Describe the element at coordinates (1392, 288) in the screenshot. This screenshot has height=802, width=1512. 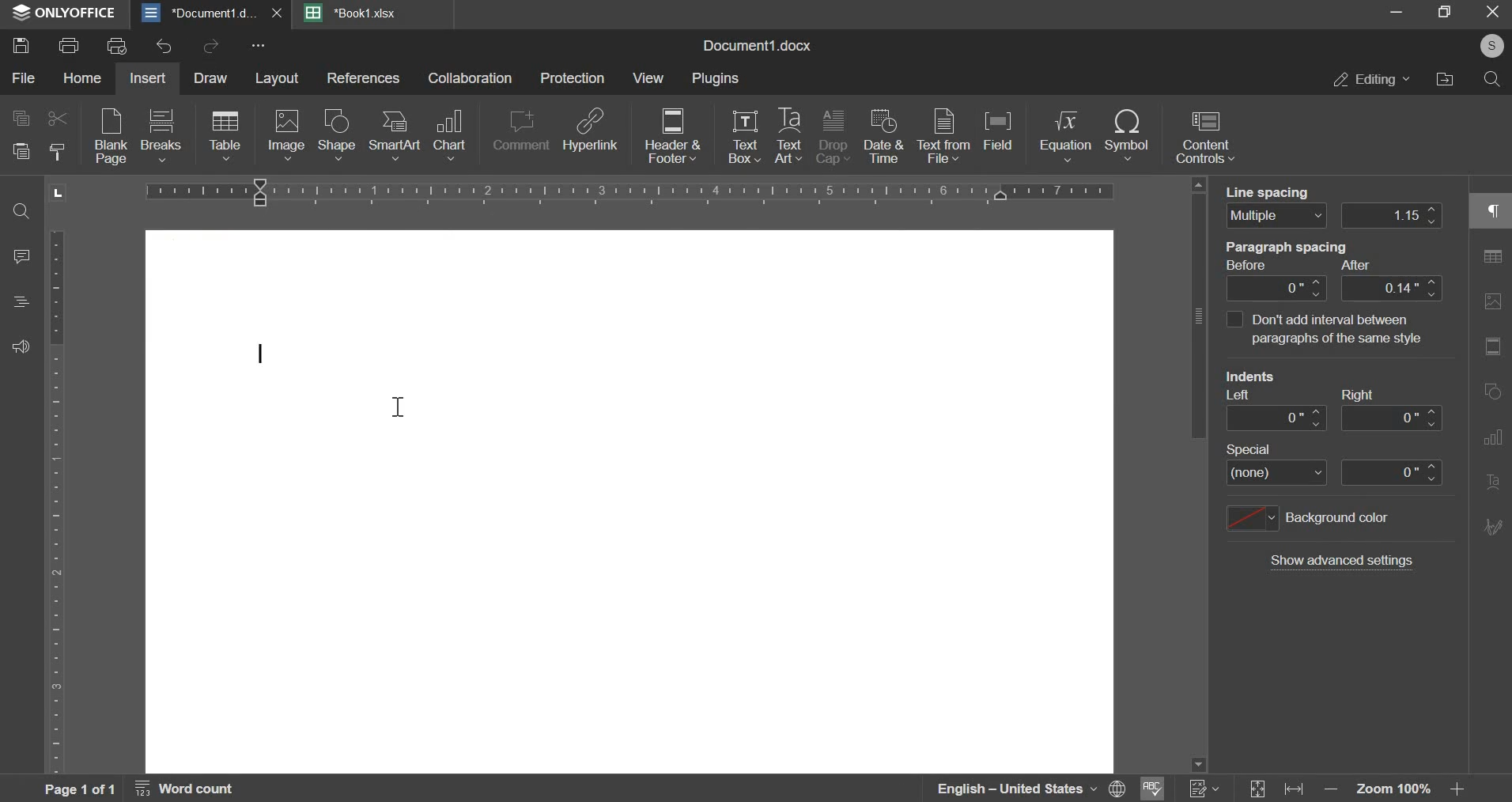
I see `after` at that location.